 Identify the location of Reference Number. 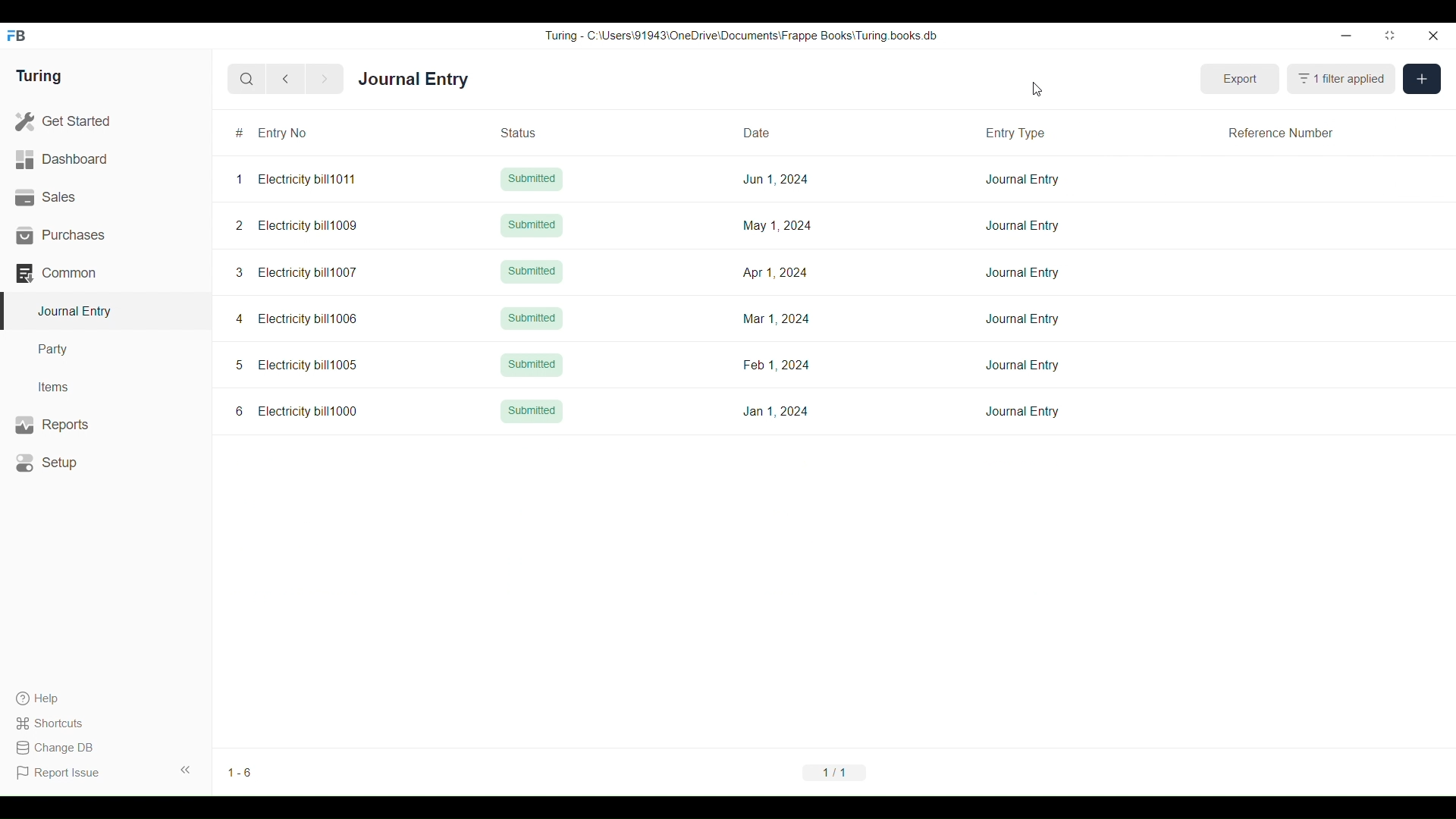
(1281, 132).